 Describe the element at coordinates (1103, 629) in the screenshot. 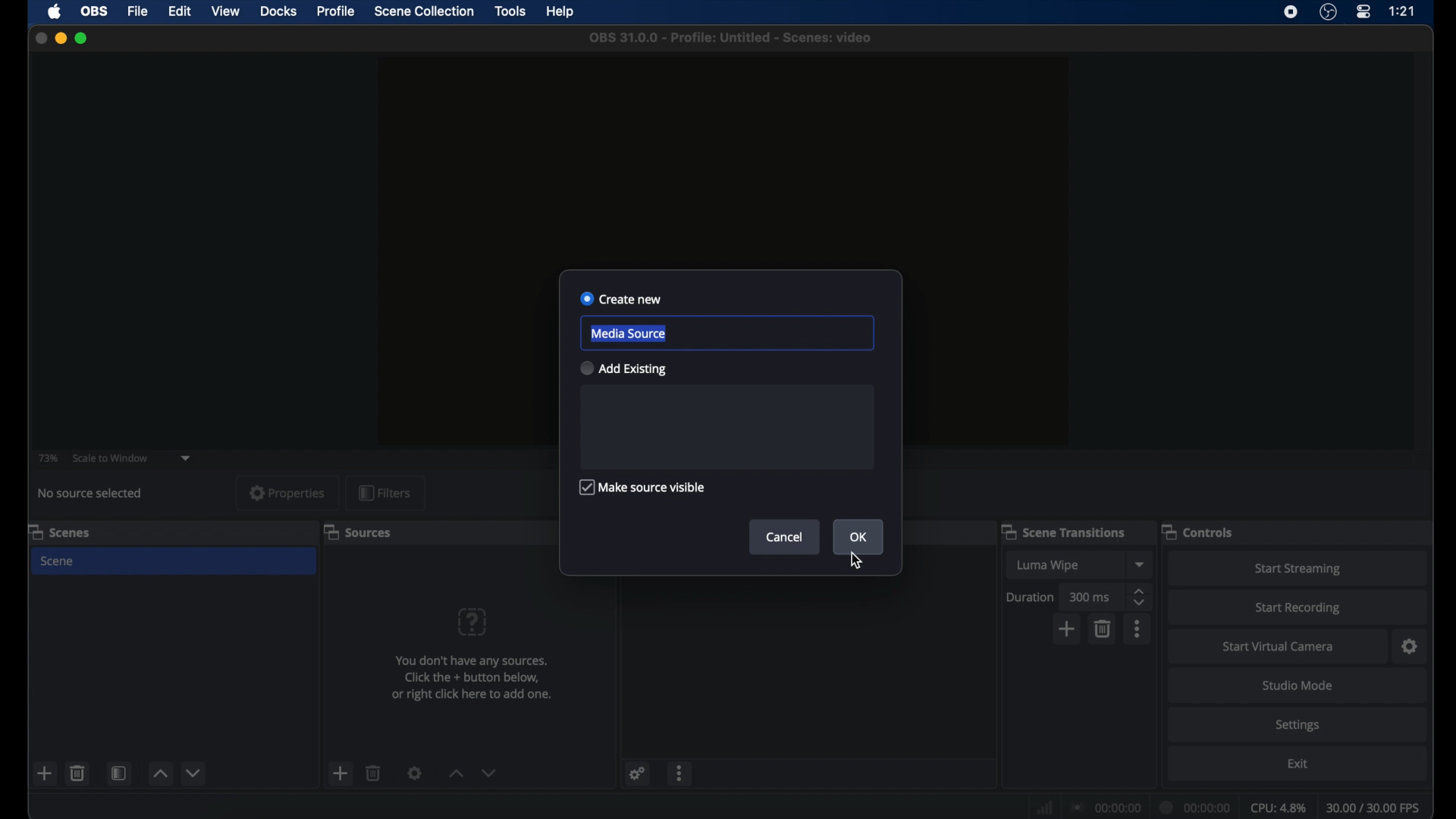

I see `delete` at that location.